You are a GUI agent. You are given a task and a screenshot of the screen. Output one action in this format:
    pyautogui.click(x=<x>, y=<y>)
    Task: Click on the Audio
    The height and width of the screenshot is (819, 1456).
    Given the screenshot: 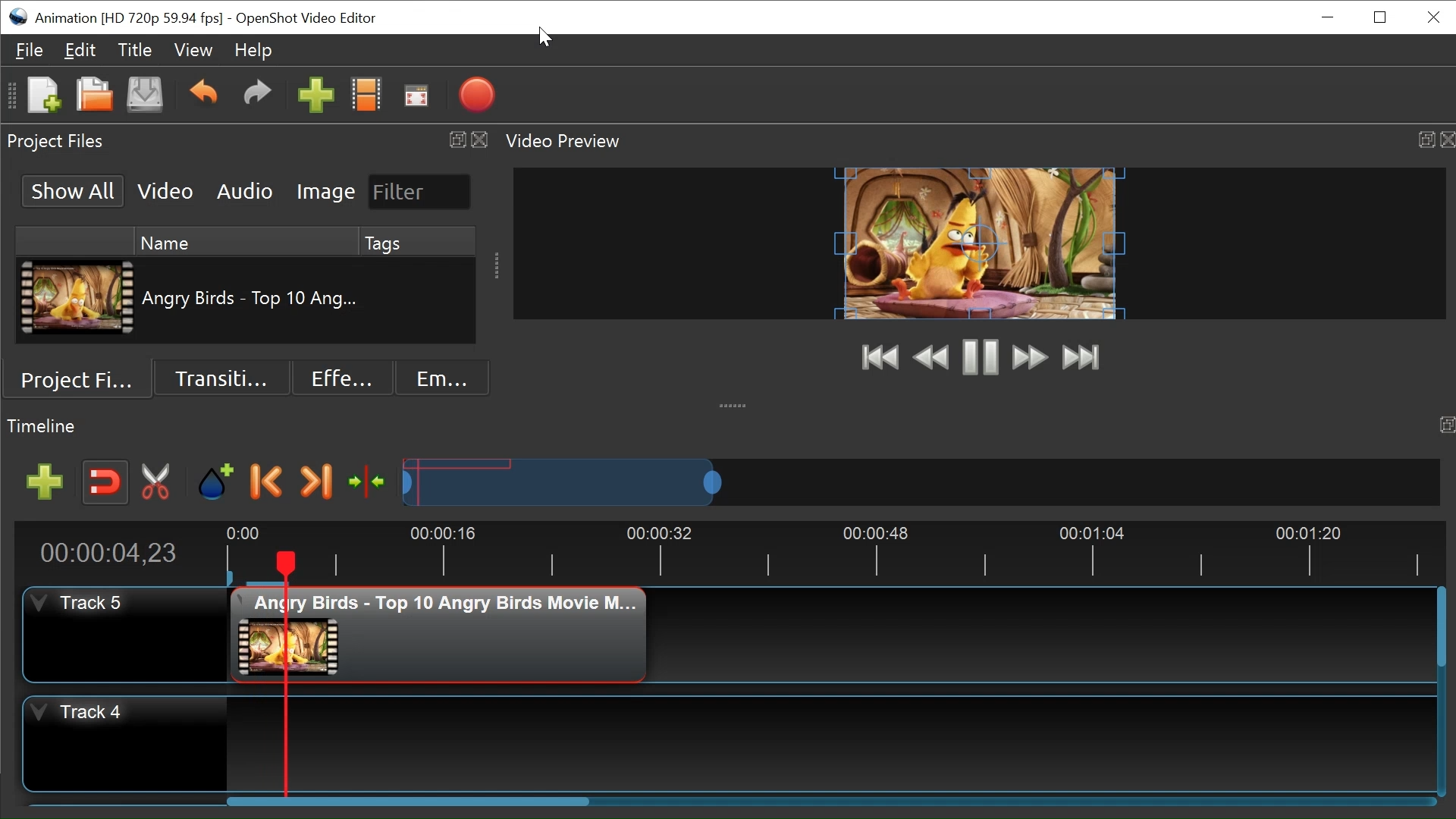 What is the action you would take?
    pyautogui.click(x=247, y=190)
    